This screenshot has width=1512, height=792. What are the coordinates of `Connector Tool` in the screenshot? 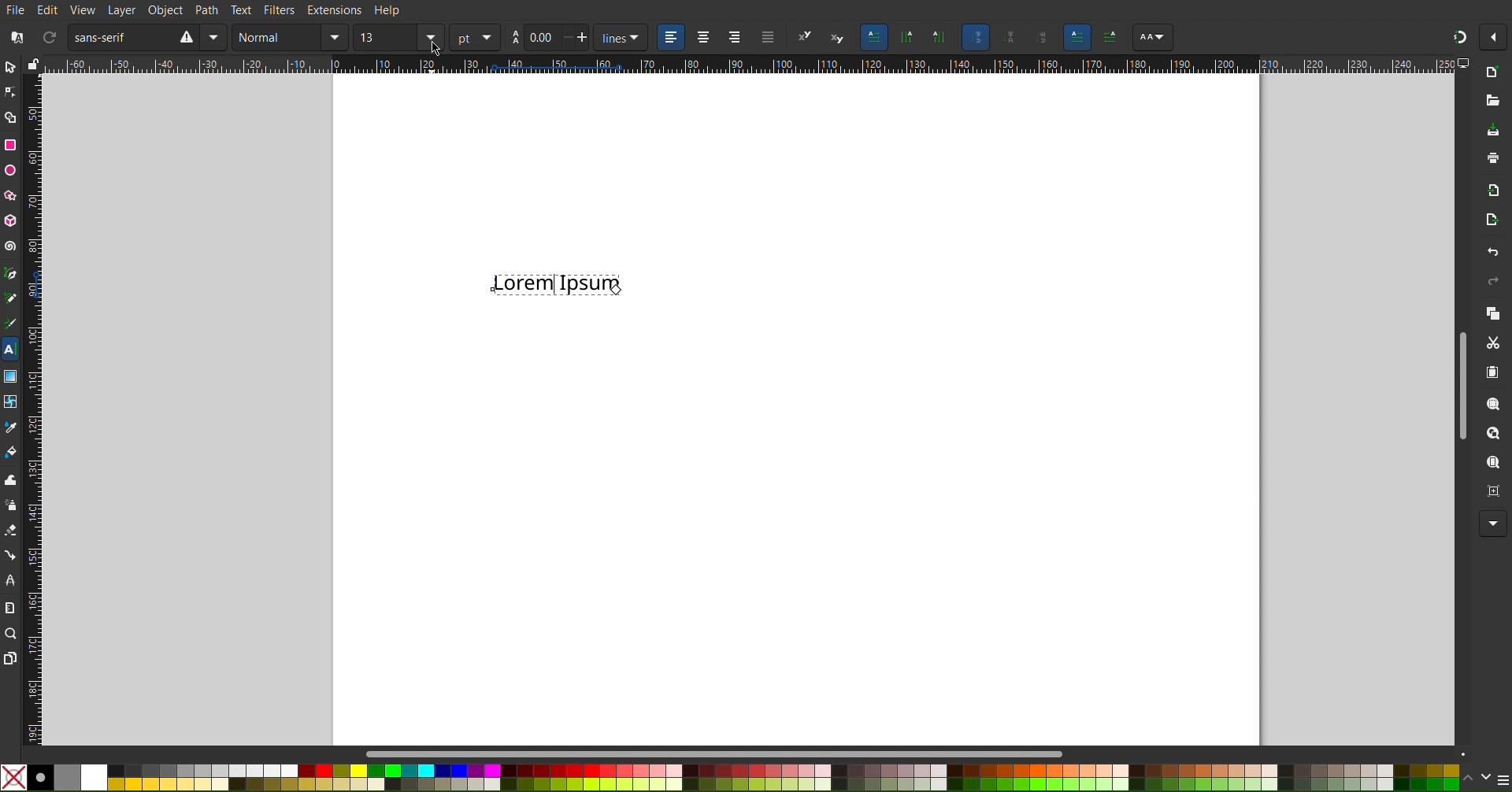 It's located at (9, 555).